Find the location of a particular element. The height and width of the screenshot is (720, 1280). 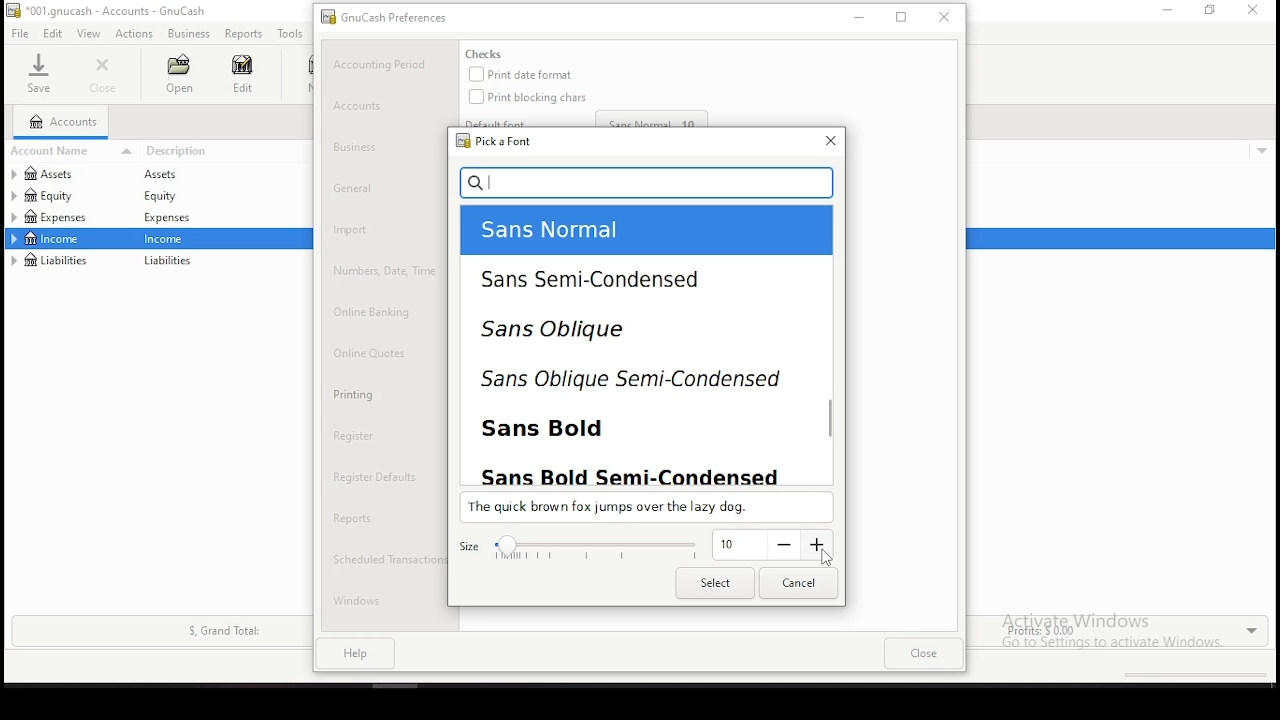

open is located at coordinates (178, 74).